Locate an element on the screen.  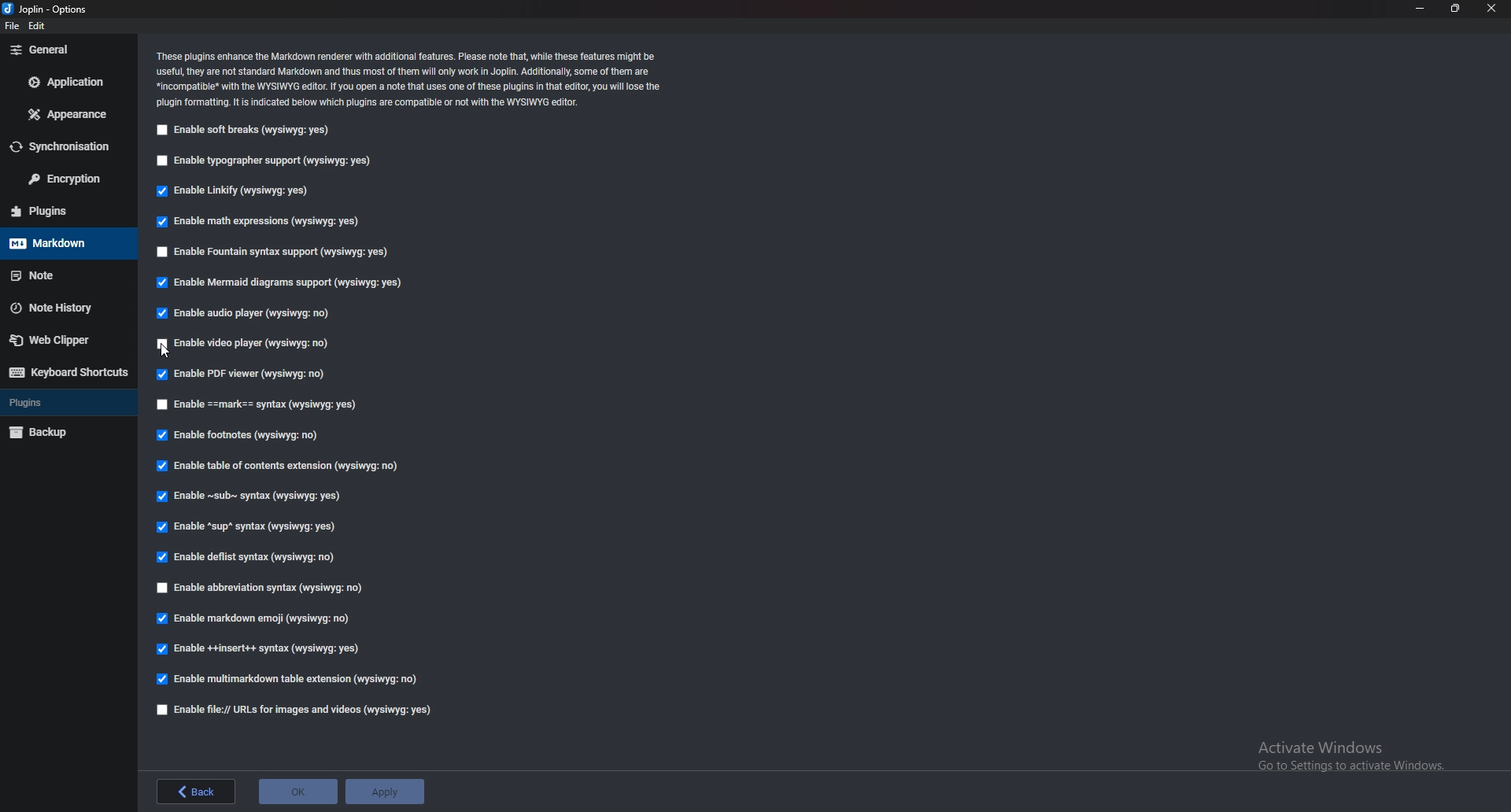
Plugins is located at coordinates (62, 404).